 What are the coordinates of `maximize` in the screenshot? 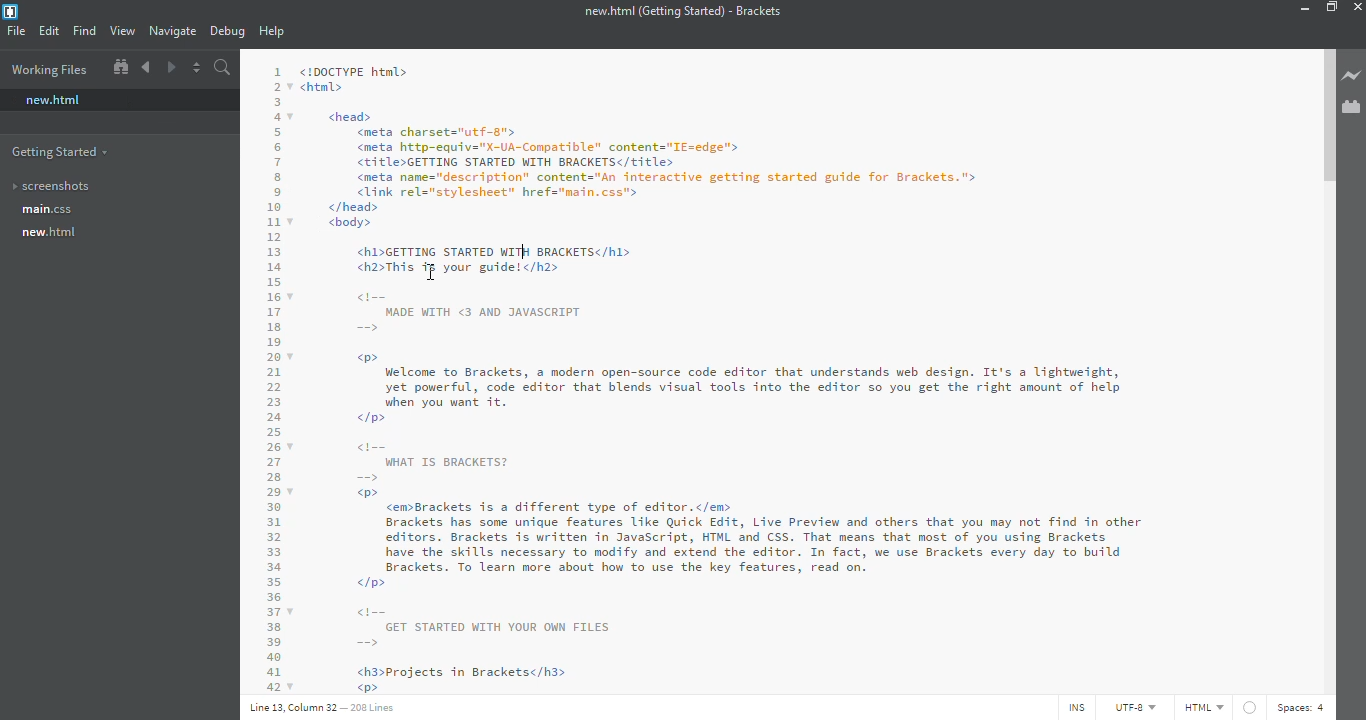 It's located at (1331, 7).